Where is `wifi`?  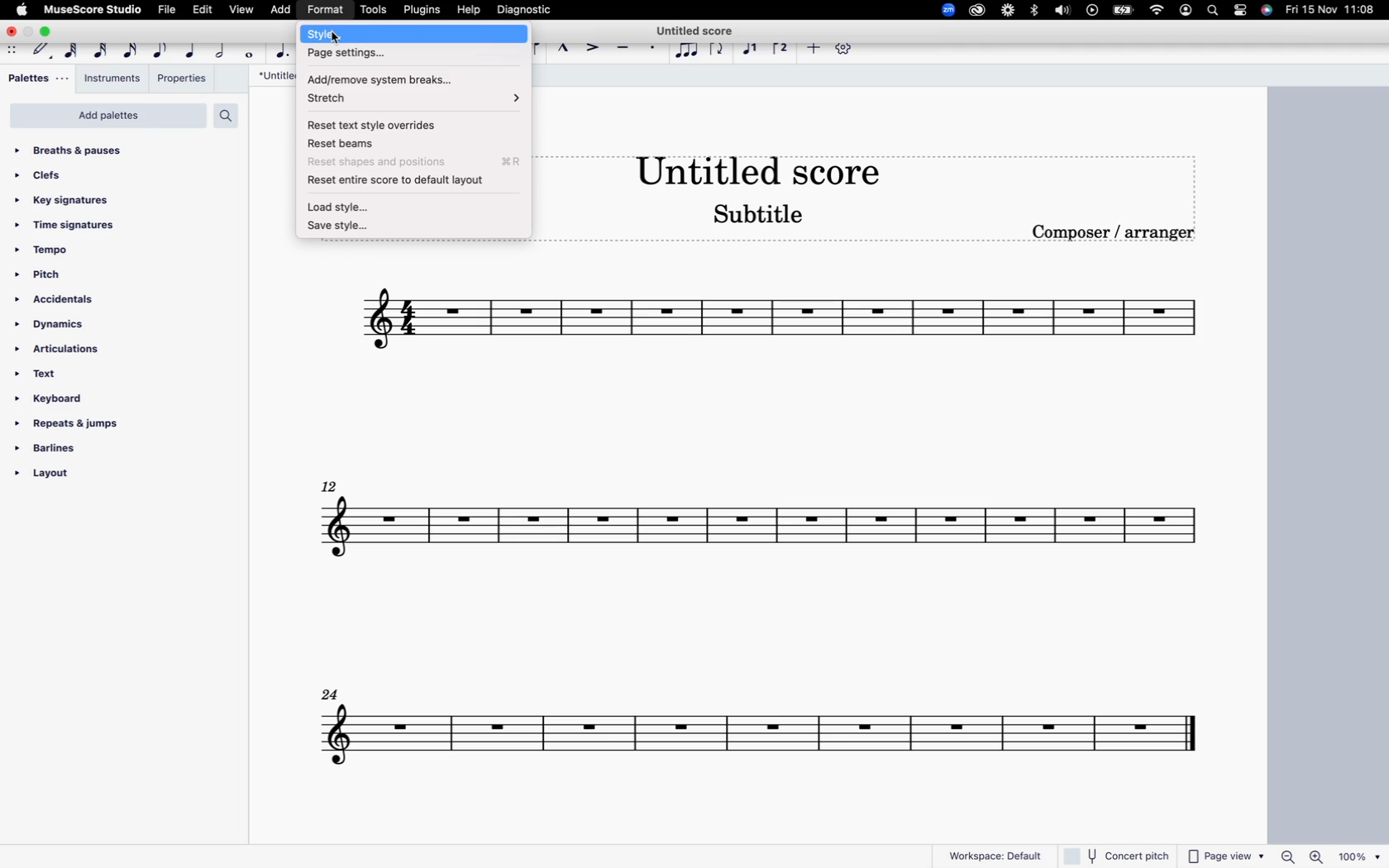
wifi is located at coordinates (1157, 12).